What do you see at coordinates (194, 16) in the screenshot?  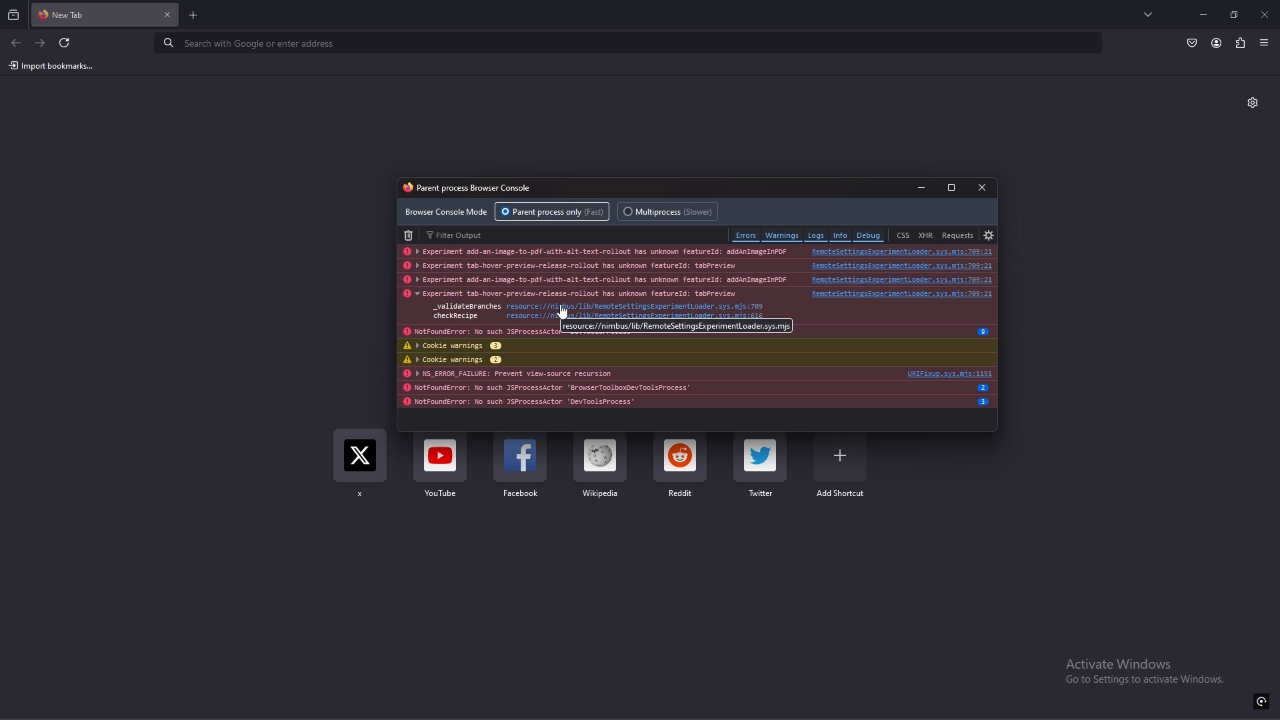 I see `new tab` at bounding box center [194, 16].